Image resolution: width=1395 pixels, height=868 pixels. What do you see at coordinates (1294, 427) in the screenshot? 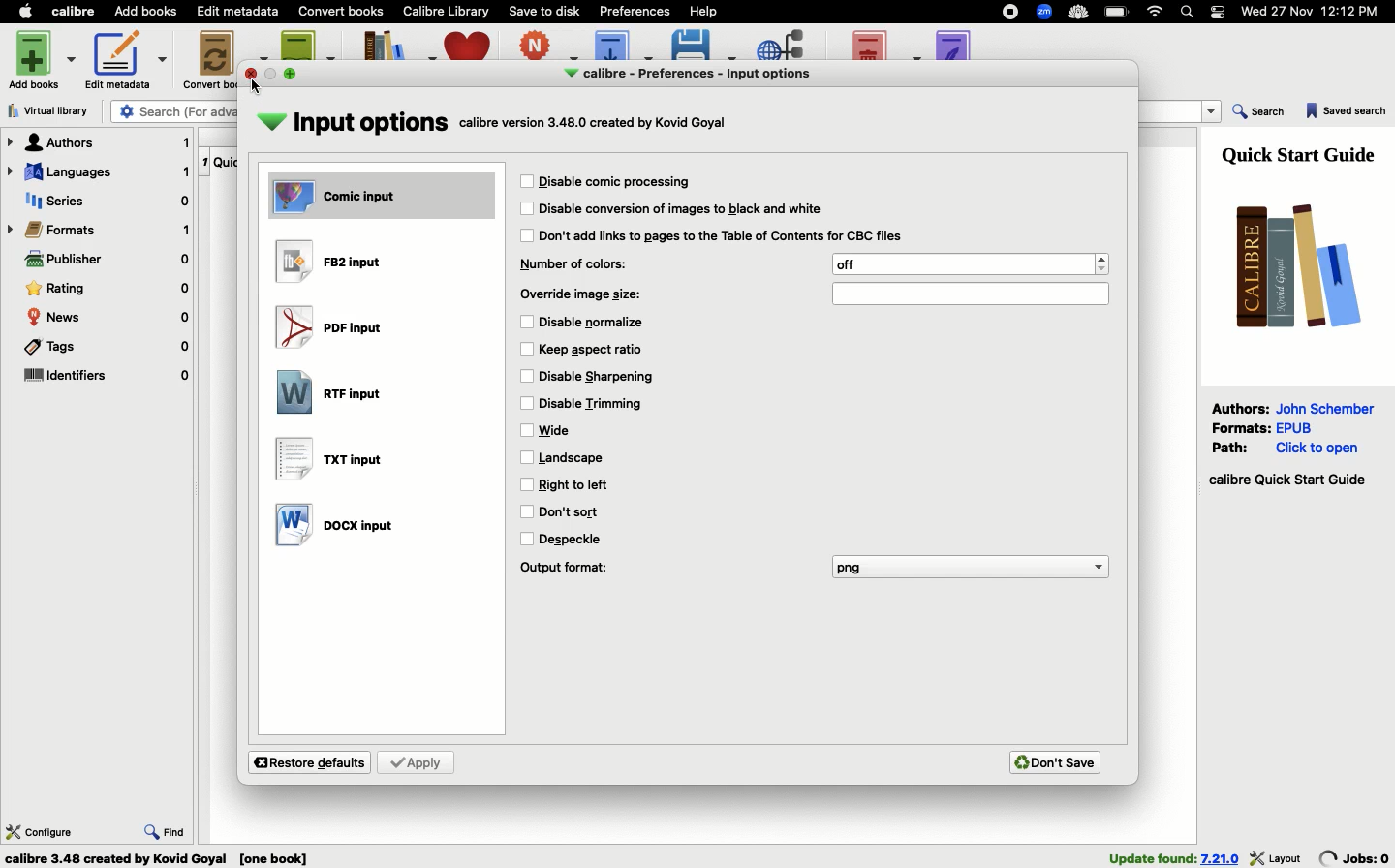
I see `epub` at bounding box center [1294, 427].